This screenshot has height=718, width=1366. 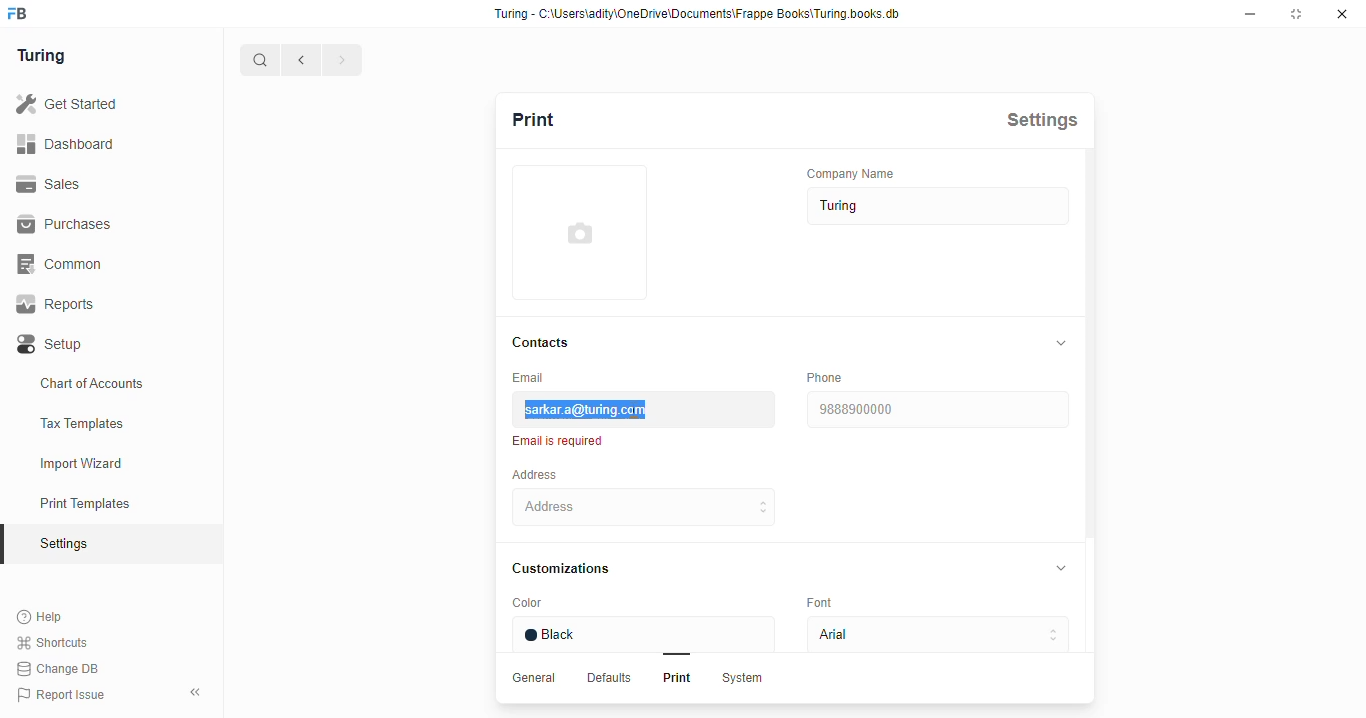 What do you see at coordinates (638, 412) in the screenshot?
I see `cursor` at bounding box center [638, 412].